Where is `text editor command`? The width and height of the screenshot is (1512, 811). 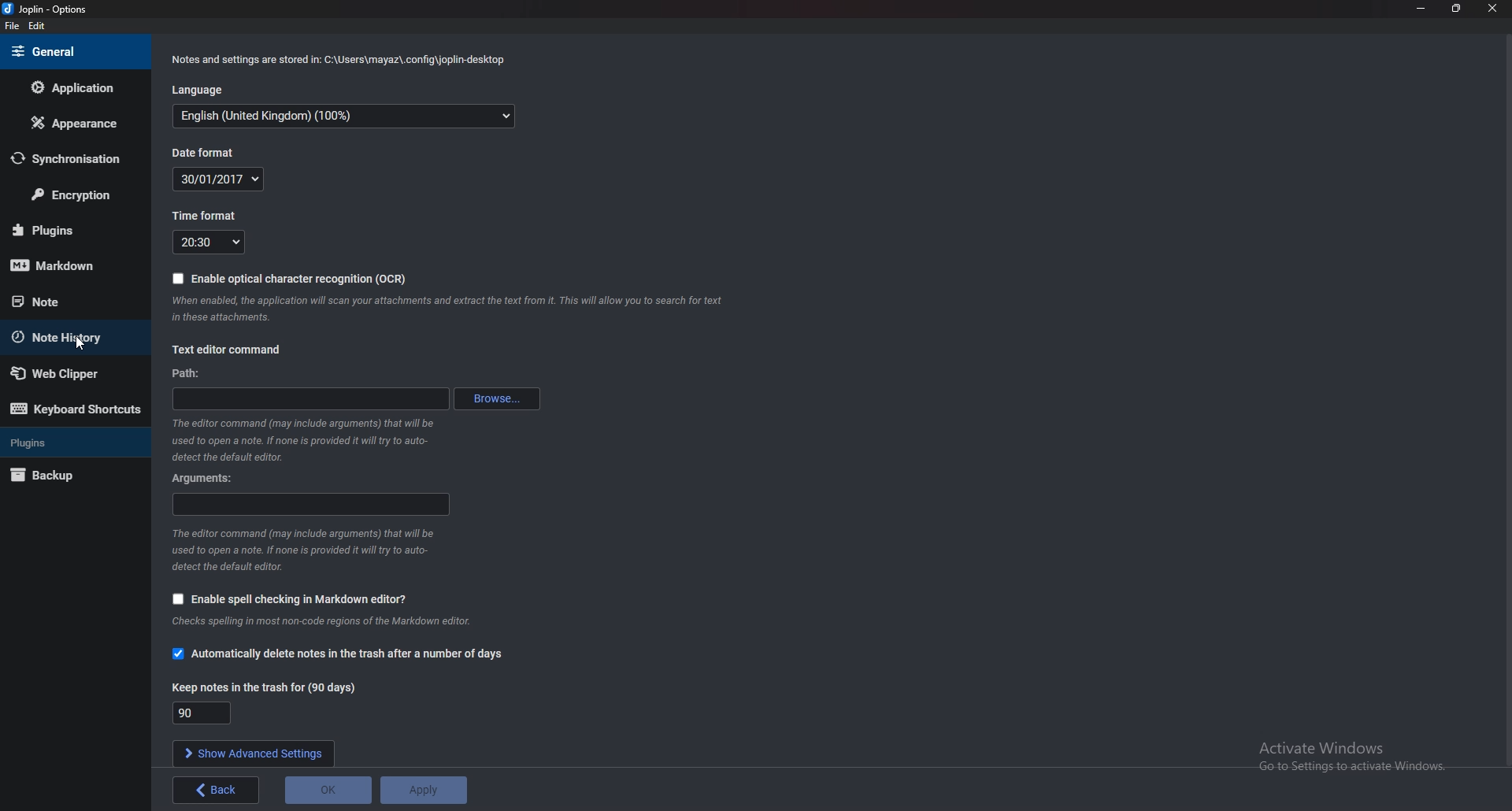
text editor command is located at coordinates (228, 350).